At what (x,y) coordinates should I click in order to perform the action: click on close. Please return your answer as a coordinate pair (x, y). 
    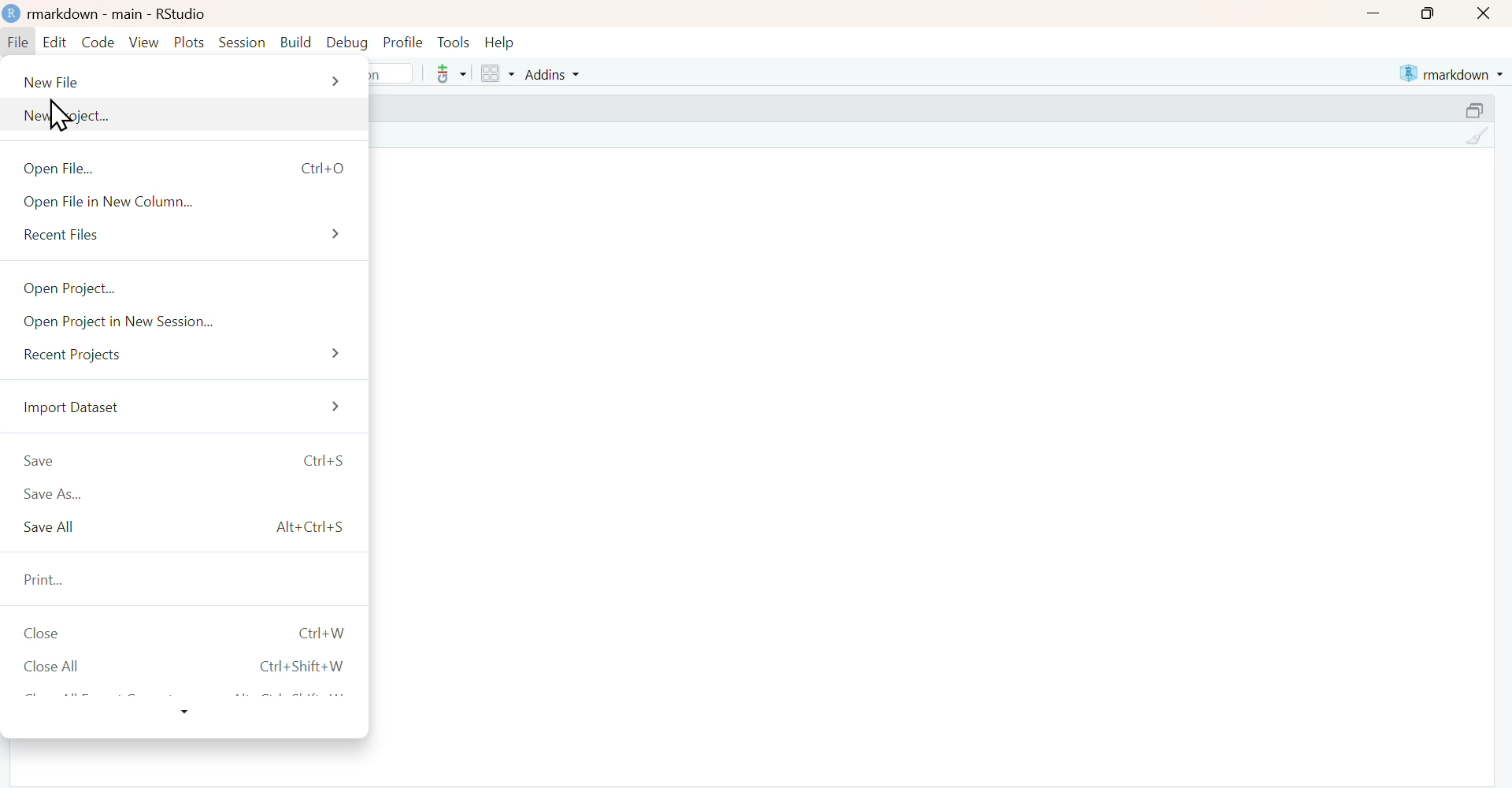
    Looking at the image, I should click on (187, 634).